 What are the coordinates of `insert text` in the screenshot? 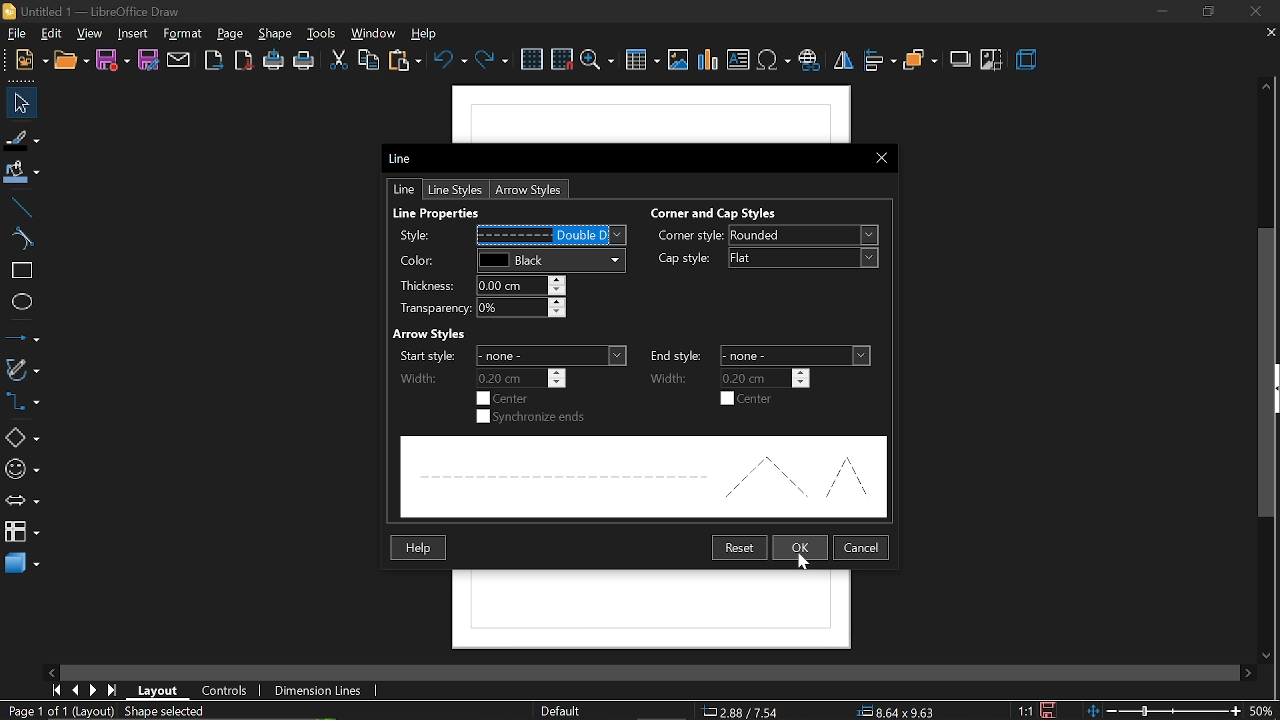 It's located at (738, 60).